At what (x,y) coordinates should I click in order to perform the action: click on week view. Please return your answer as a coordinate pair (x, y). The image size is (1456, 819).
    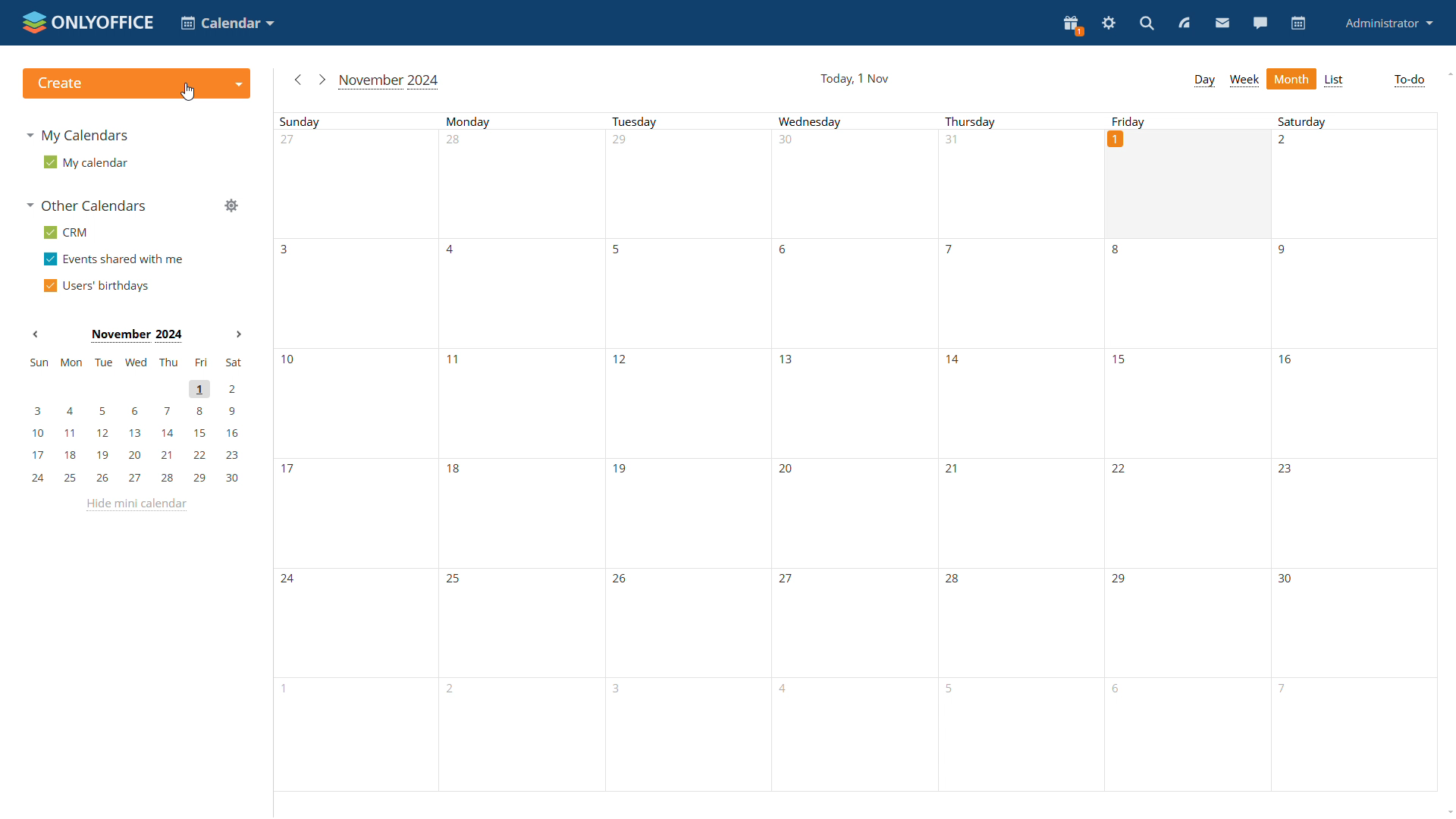
    Looking at the image, I should click on (1245, 80).